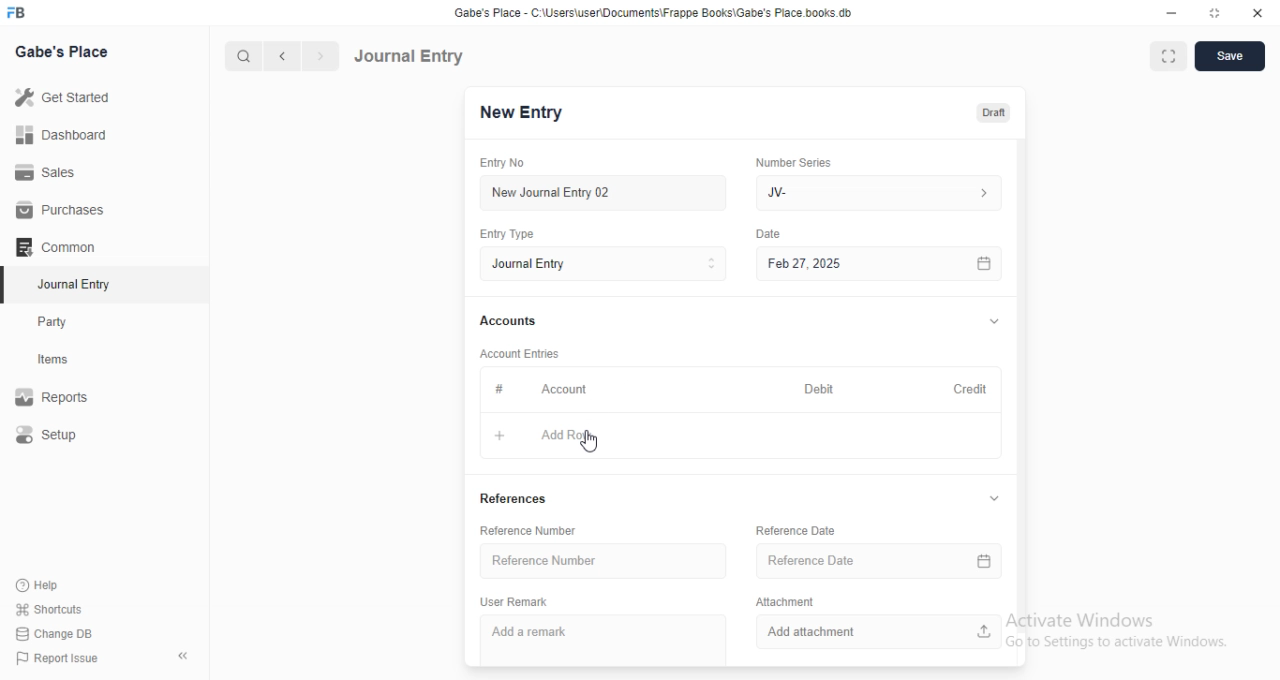 This screenshot has width=1280, height=680. What do you see at coordinates (995, 320) in the screenshot?
I see `Hide` at bounding box center [995, 320].